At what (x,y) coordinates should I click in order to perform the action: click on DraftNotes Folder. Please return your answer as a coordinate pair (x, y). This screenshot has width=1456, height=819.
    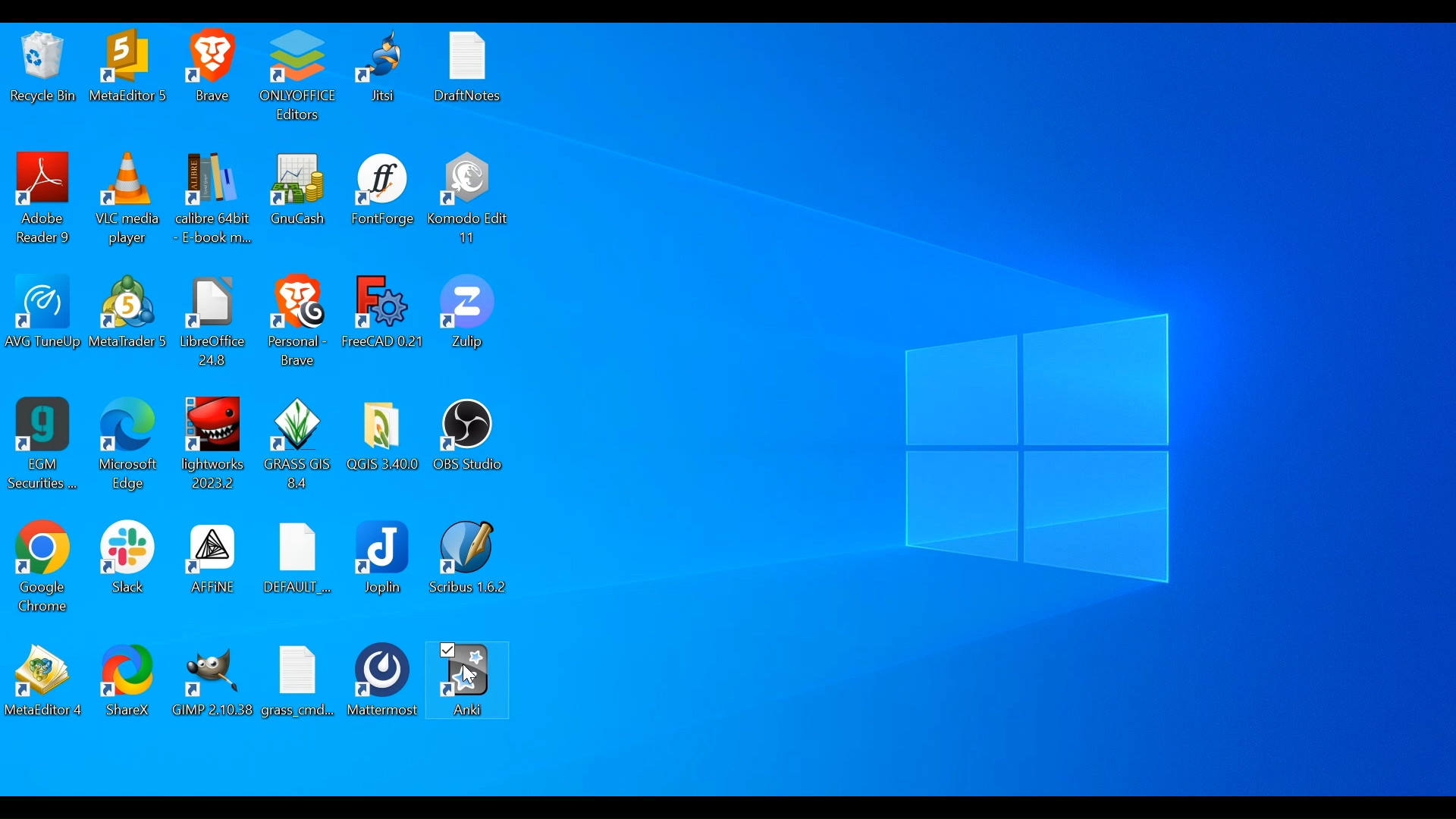
    Looking at the image, I should click on (467, 66).